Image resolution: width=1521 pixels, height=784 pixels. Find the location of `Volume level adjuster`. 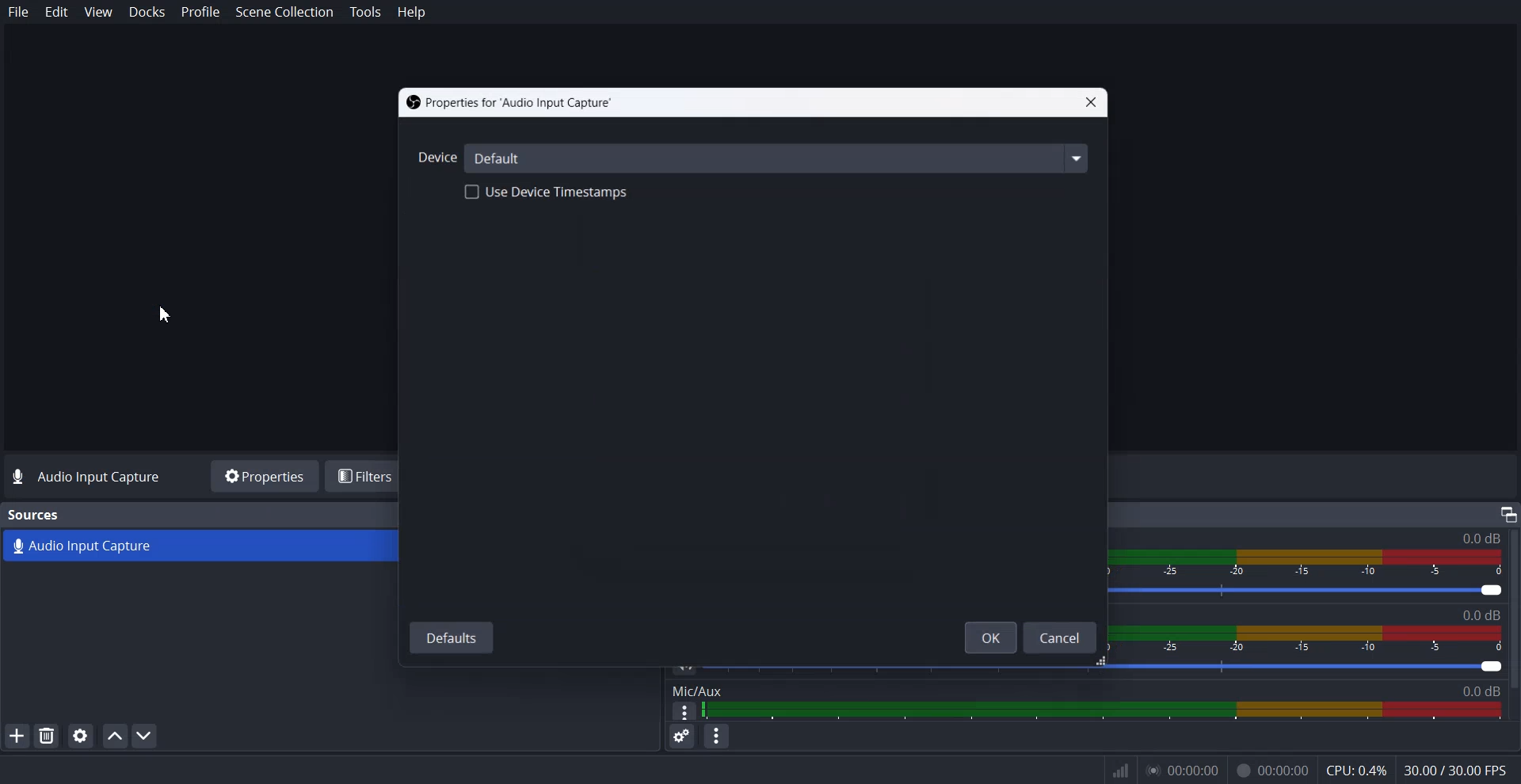

Volume level adjuster is located at coordinates (1315, 593).